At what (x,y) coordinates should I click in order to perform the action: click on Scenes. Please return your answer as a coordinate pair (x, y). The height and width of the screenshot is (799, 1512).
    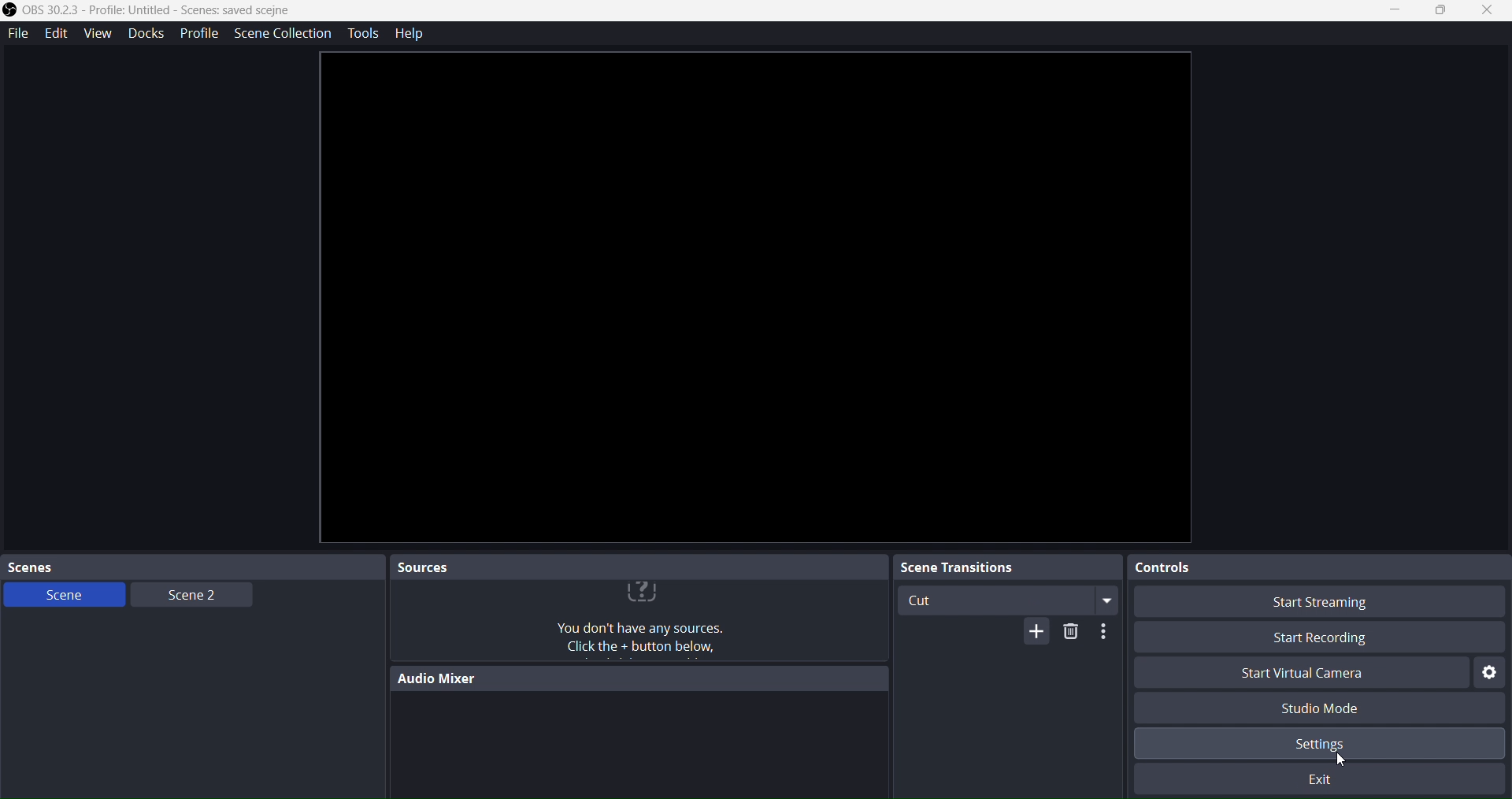
    Looking at the image, I should click on (173, 566).